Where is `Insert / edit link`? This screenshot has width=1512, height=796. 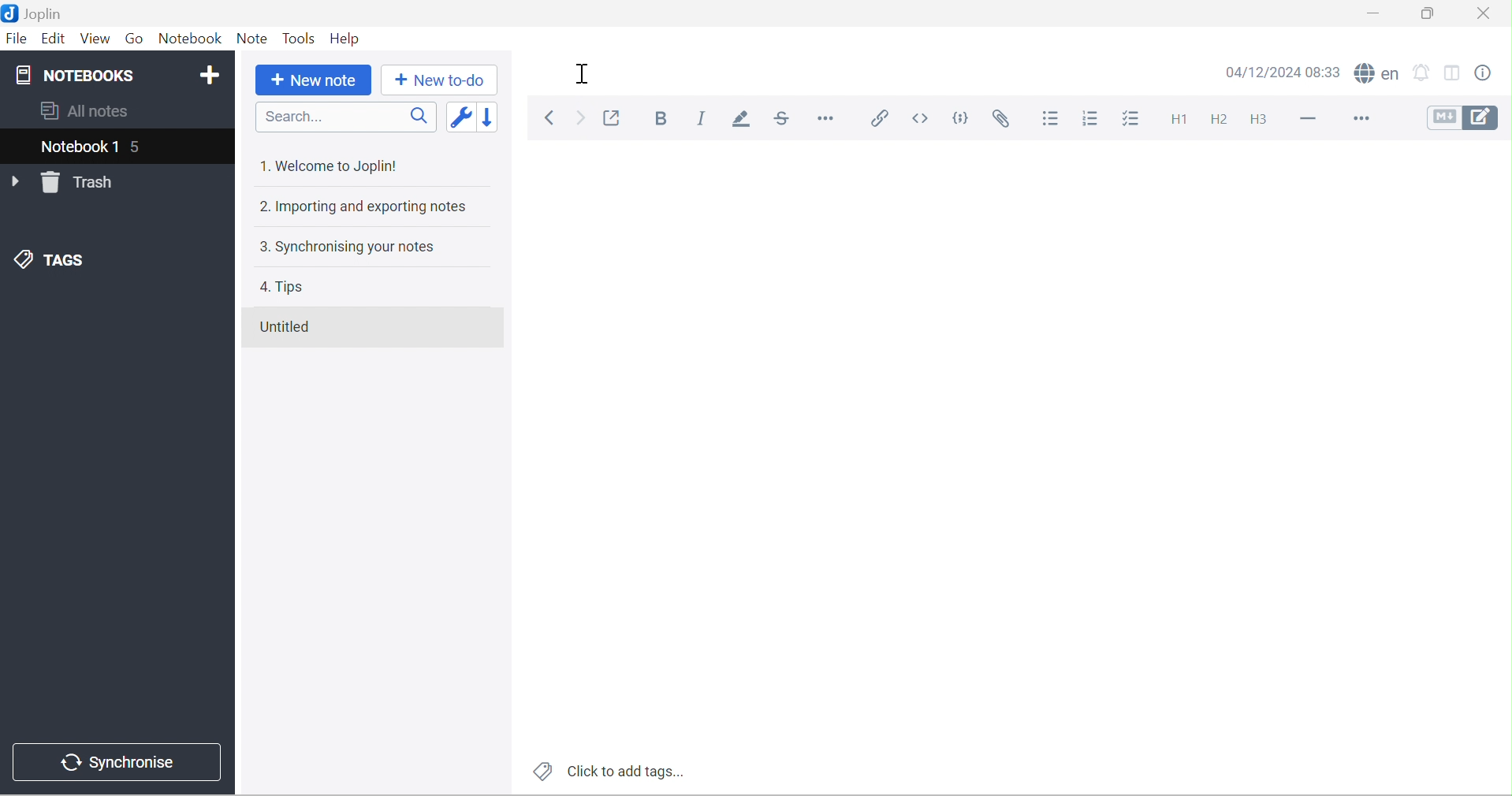 Insert / edit link is located at coordinates (879, 117).